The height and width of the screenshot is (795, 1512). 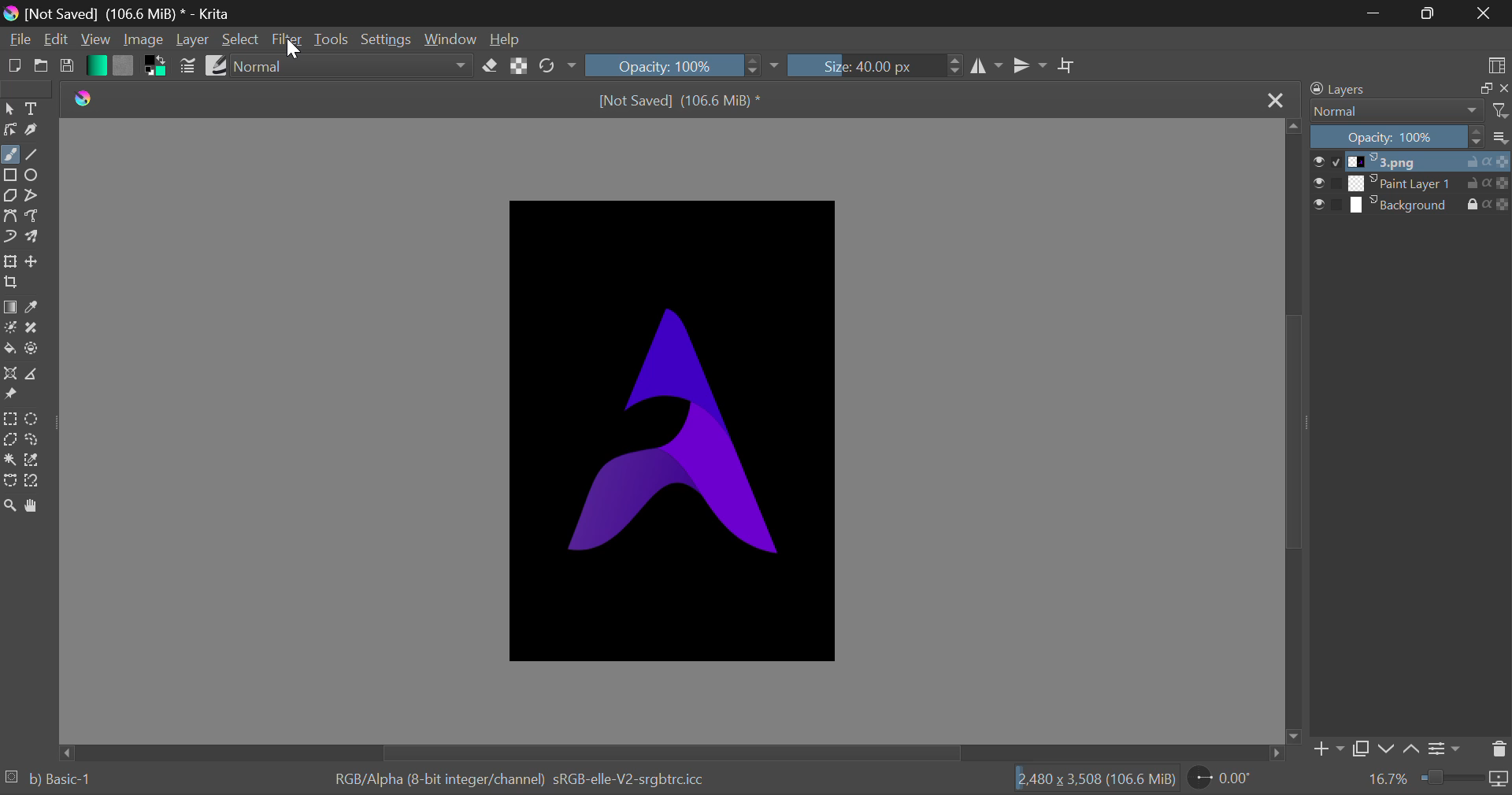 I want to click on Polylines, so click(x=32, y=198).